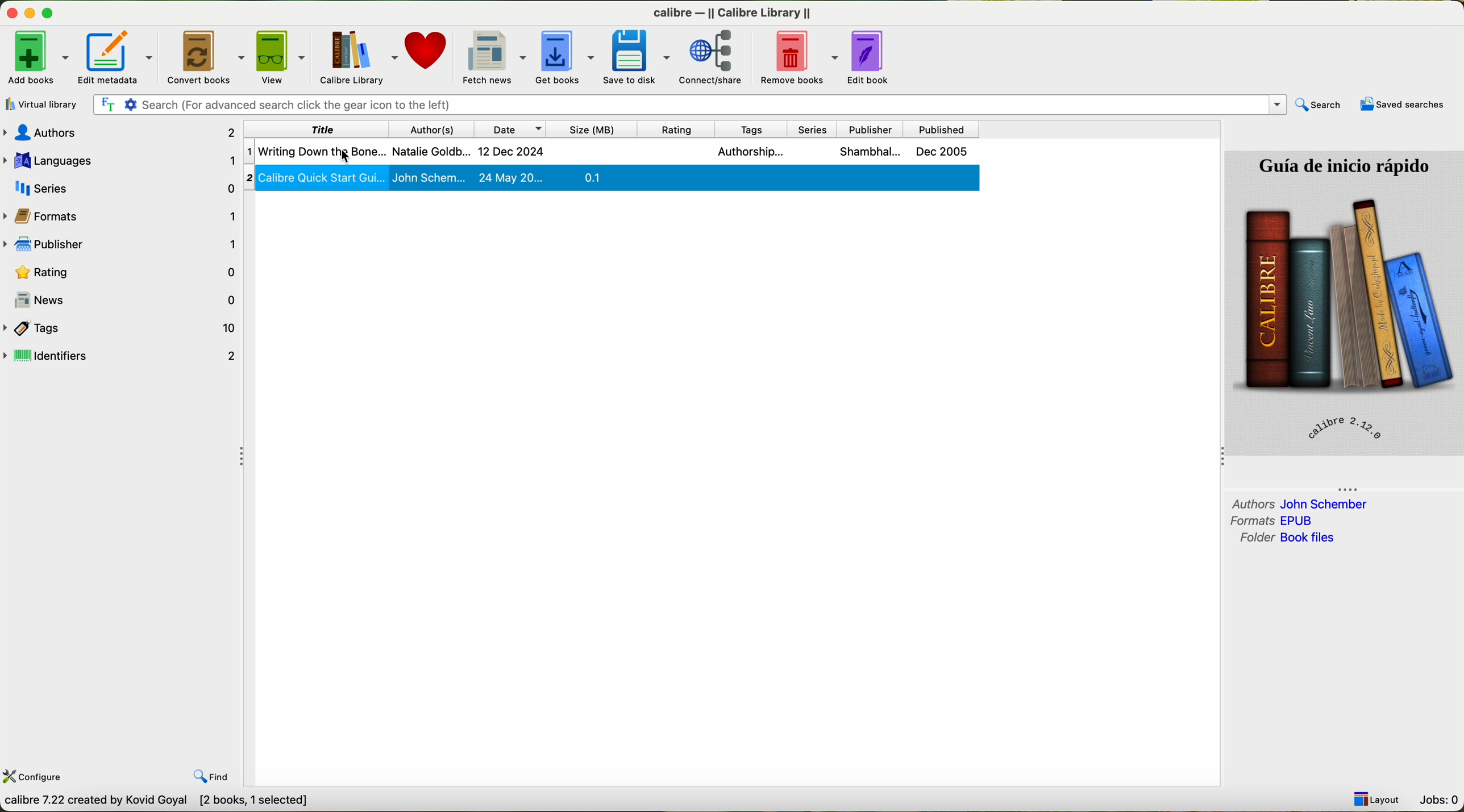 This screenshot has height=812, width=1464. I want to click on series, so click(813, 130).